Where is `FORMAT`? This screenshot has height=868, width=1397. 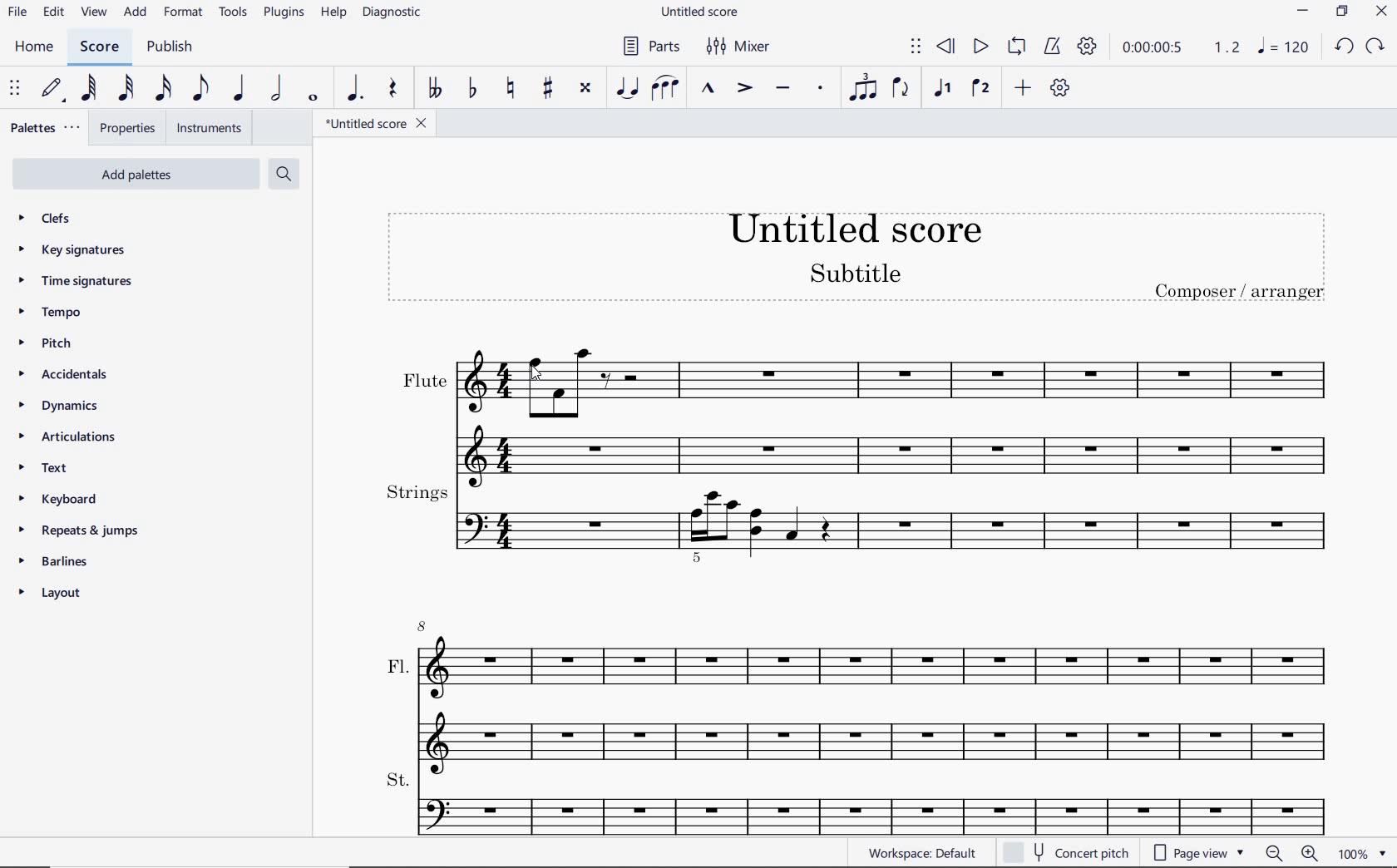 FORMAT is located at coordinates (186, 14).